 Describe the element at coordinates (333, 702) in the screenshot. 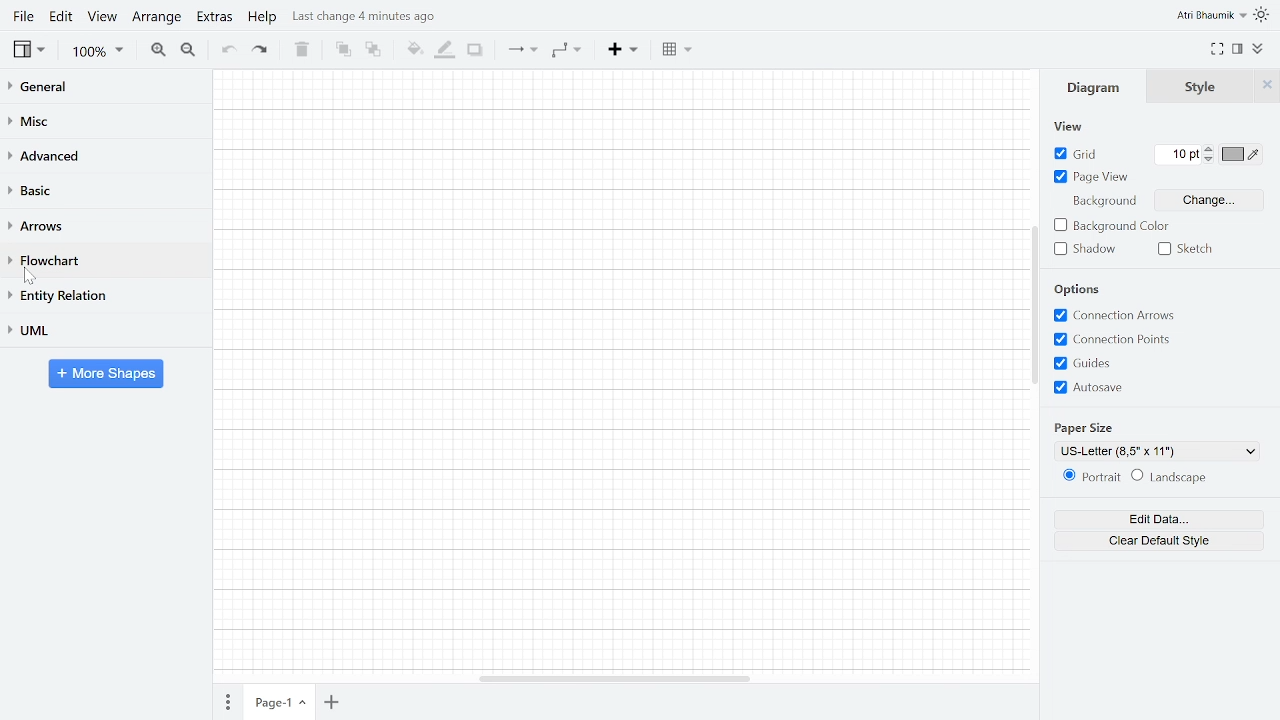

I see `add page` at that location.